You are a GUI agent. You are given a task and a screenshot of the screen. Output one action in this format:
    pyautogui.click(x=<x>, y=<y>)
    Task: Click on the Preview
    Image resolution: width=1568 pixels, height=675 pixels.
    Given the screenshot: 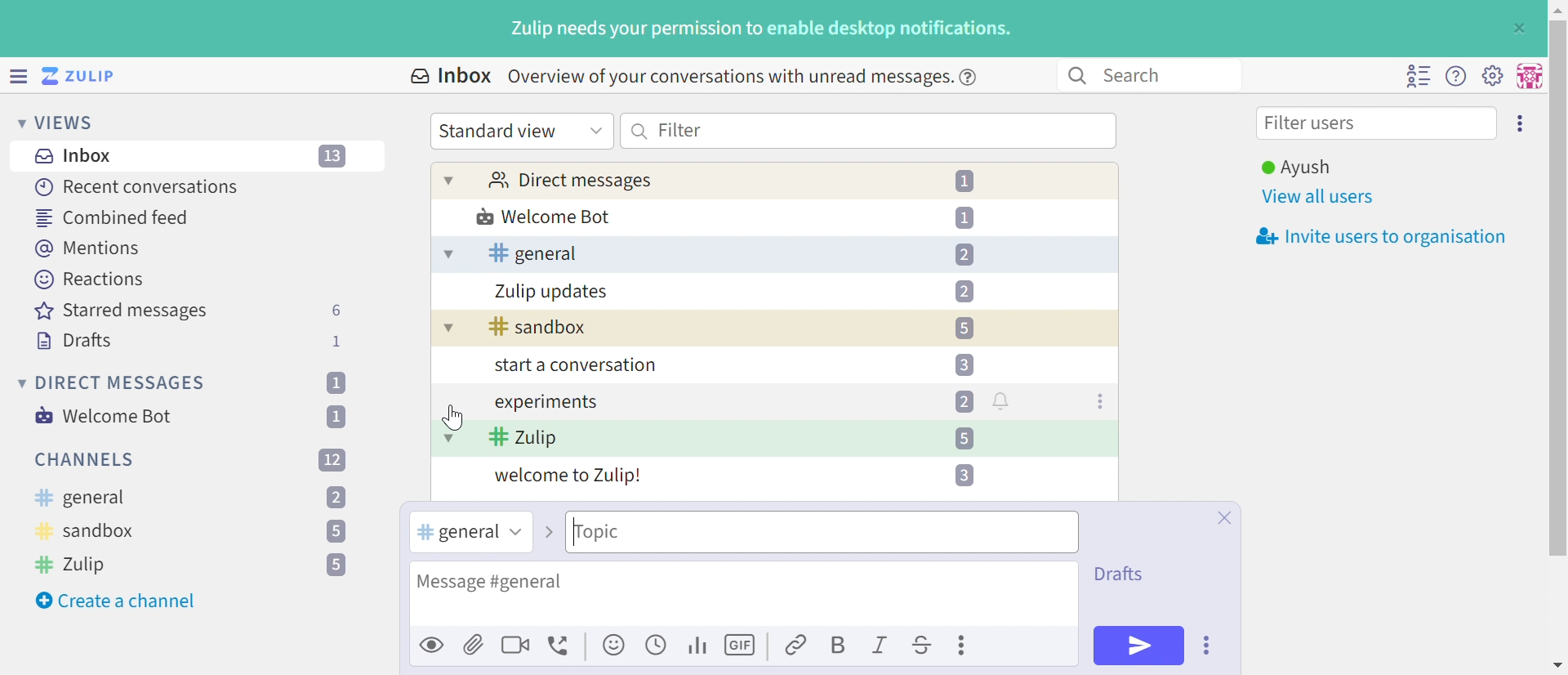 What is the action you would take?
    pyautogui.click(x=433, y=644)
    